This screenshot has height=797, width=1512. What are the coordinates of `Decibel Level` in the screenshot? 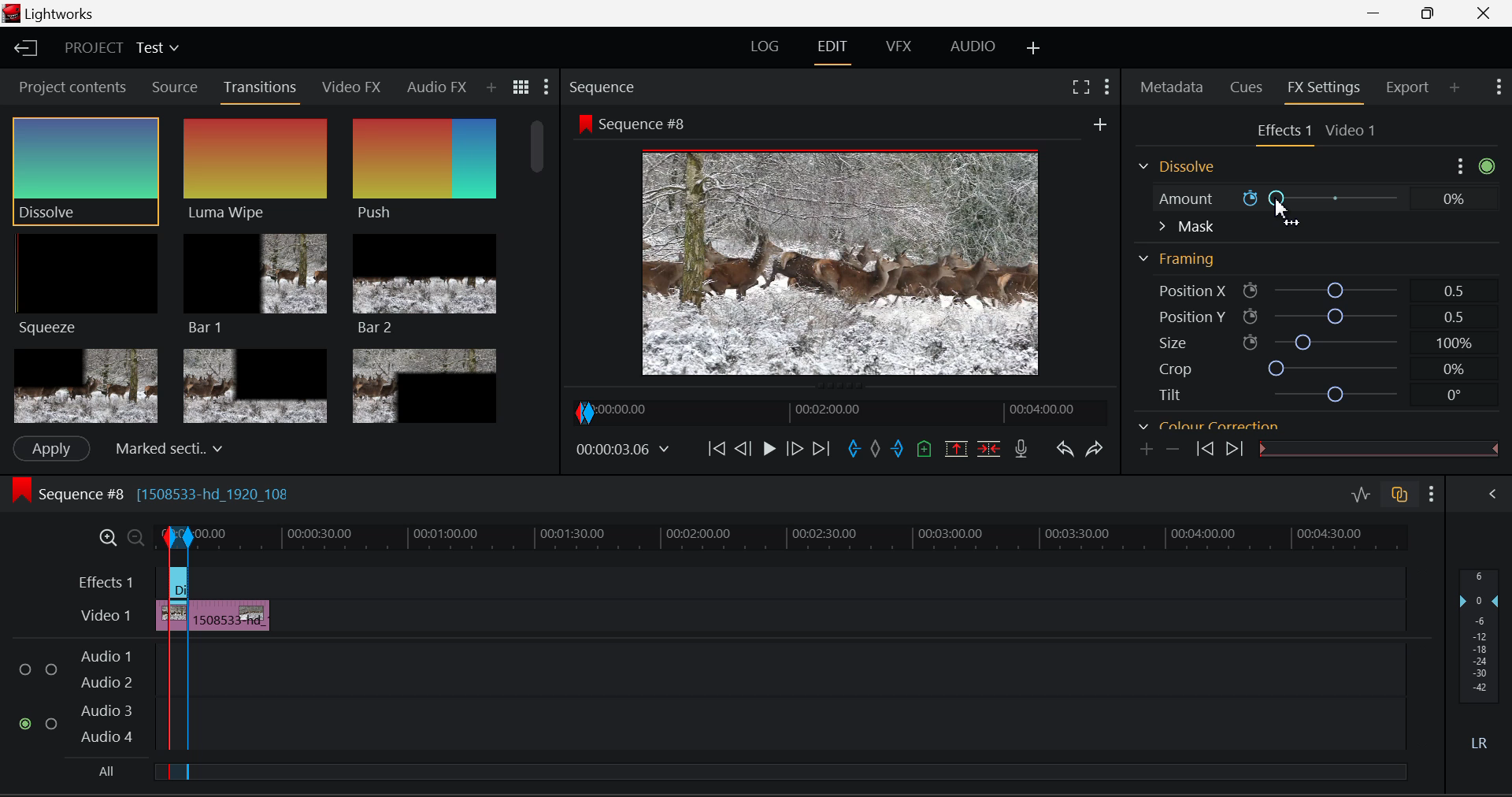 It's located at (1482, 662).